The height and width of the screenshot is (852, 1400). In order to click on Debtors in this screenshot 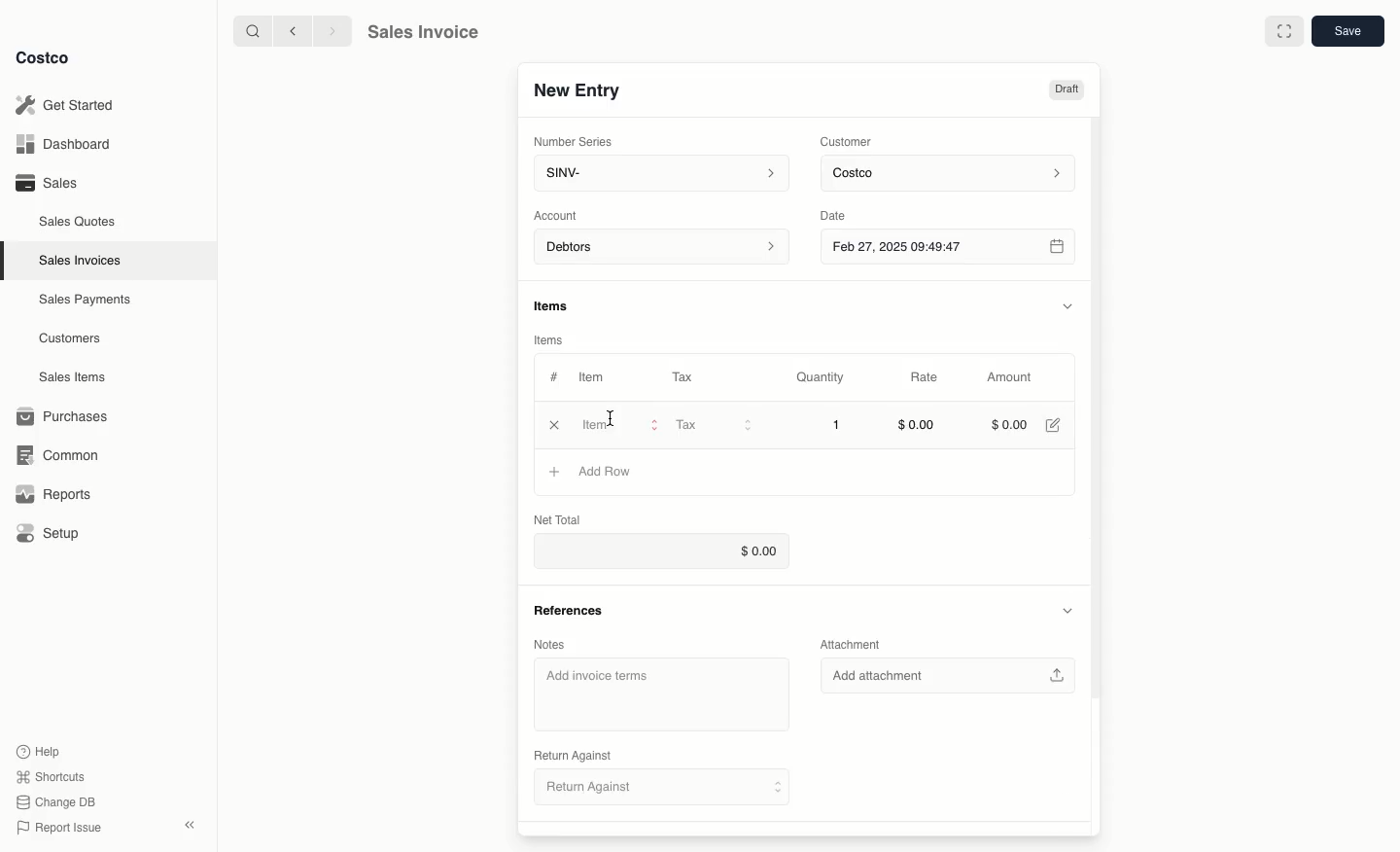, I will do `click(662, 248)`.